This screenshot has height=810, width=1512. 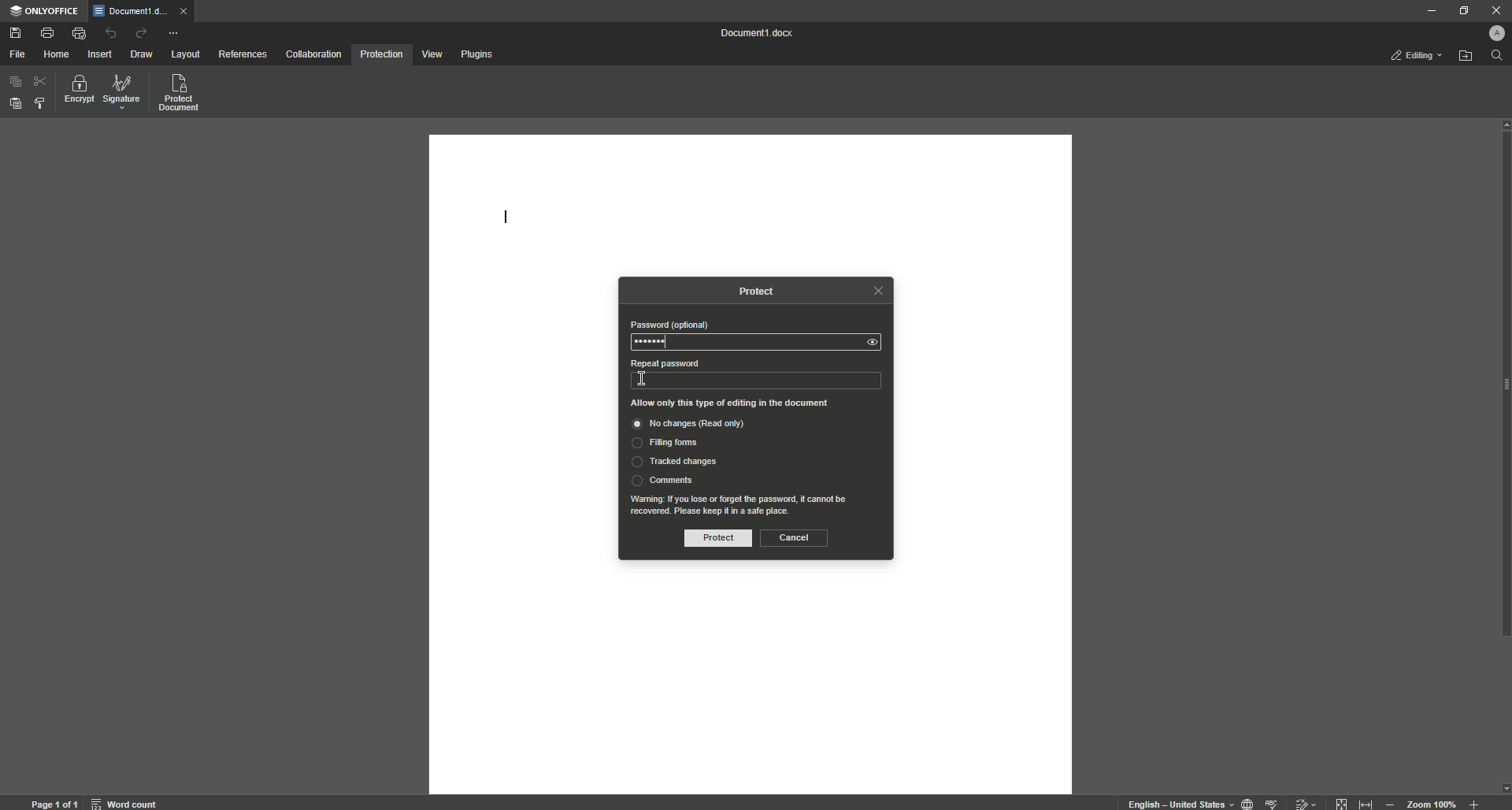 What do you see at coordinates (1429, 12) in the screenshot?
I see `Minimize` at bounding box center [1429, 12].